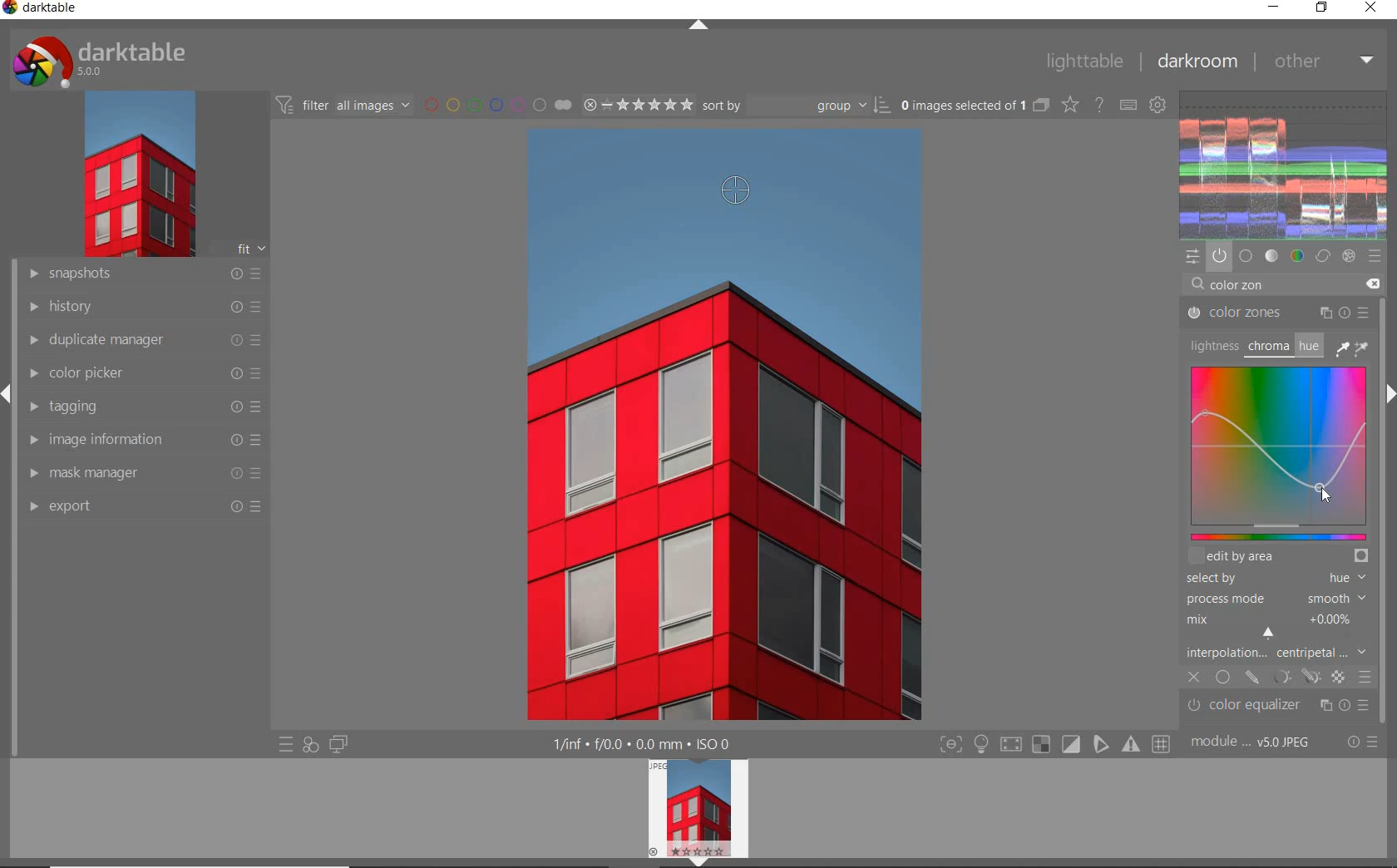  What do you see at coordinates (102, 62) in the screenshot?
I see `system logo & name` at bounding box center [102, 62].